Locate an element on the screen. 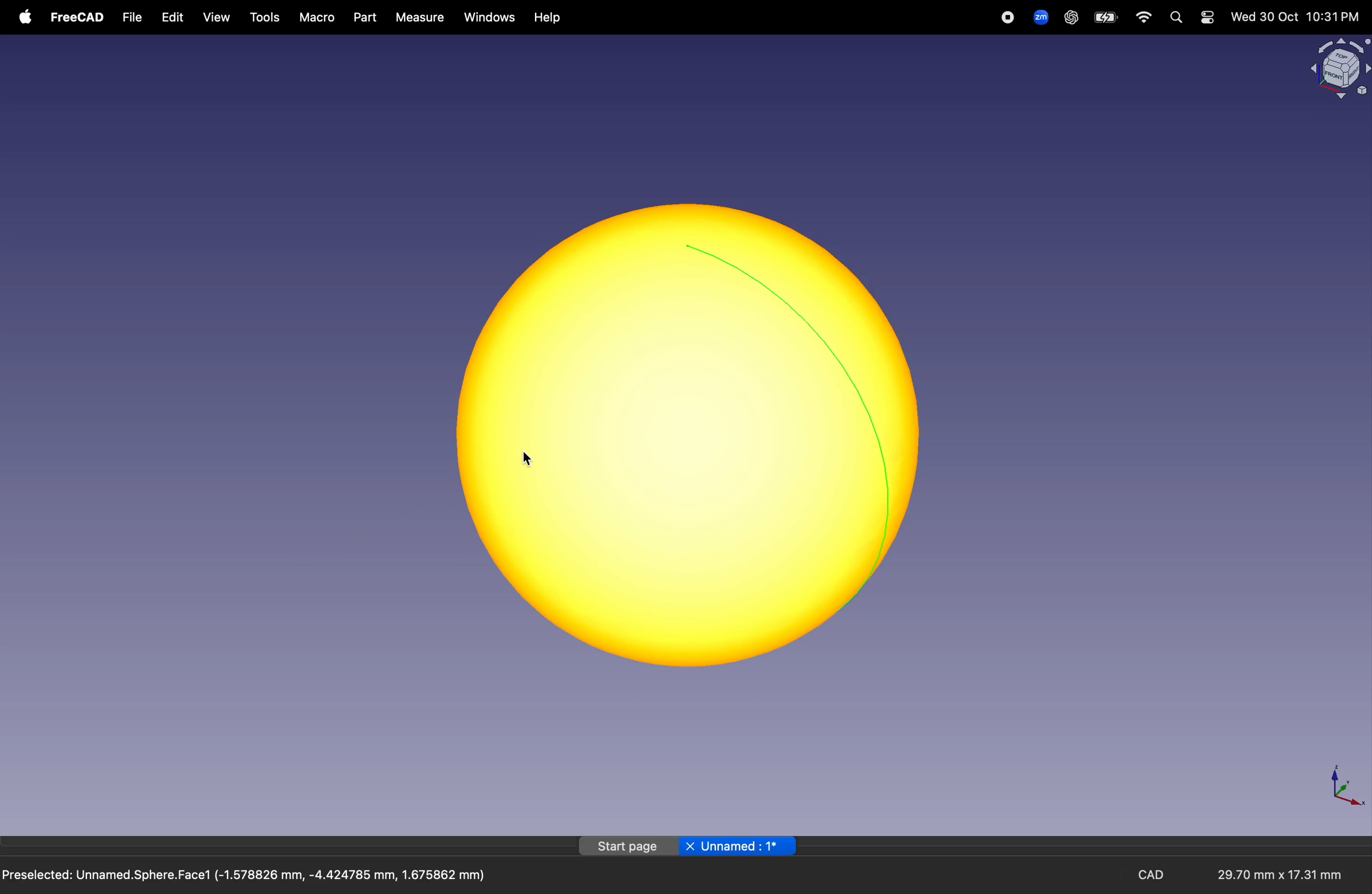 Image resolution: width=1372 pixels, height=894 pixels. 29.70 mm x 17.31 mm is located at coordinates (1270, 876).